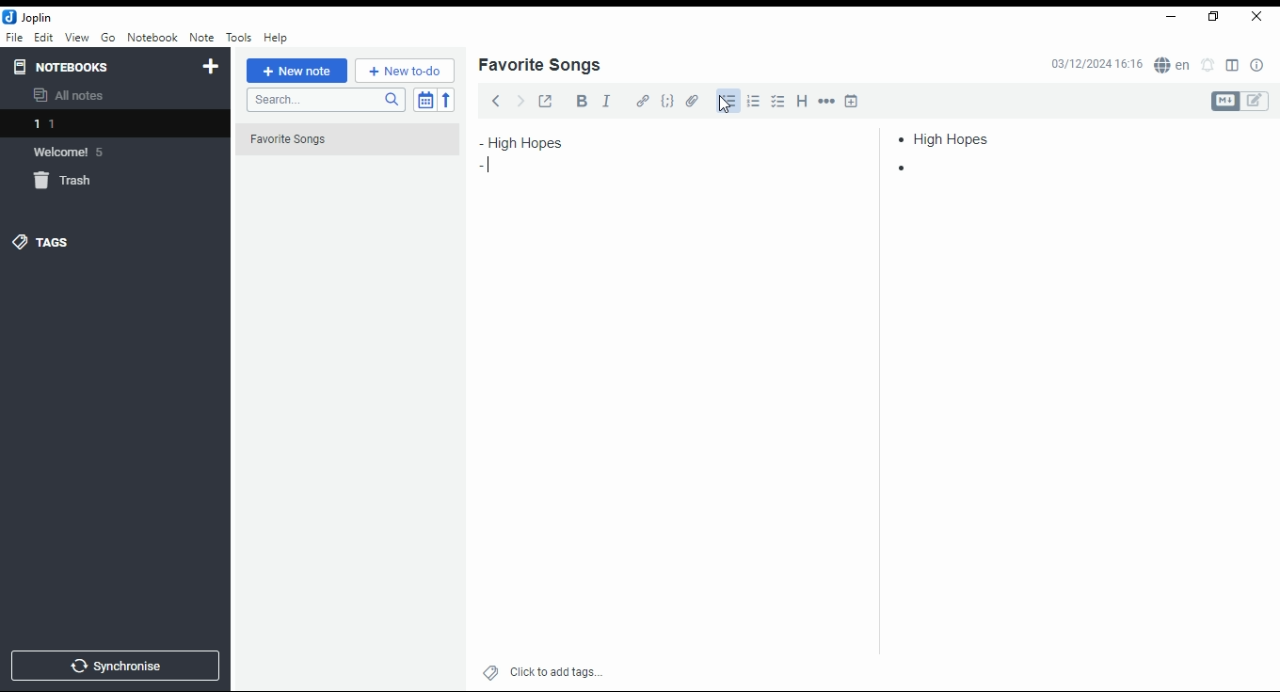  I want to click on list name, so click(539, 66).